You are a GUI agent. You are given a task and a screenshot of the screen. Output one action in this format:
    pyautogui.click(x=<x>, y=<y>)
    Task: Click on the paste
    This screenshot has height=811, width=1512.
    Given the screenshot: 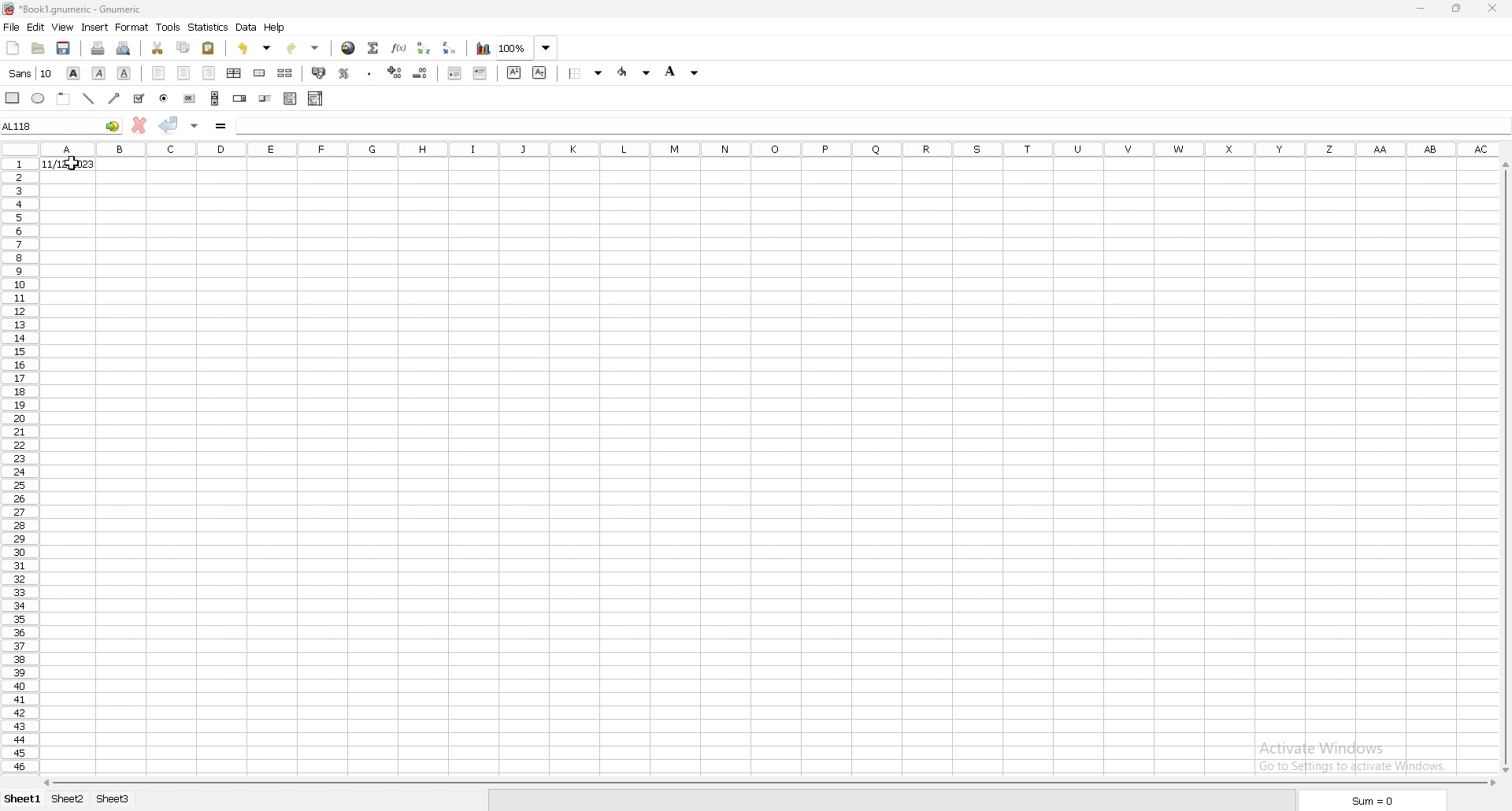 What is the action you would take?
    pyautogui.click(x=207, y=49)
    